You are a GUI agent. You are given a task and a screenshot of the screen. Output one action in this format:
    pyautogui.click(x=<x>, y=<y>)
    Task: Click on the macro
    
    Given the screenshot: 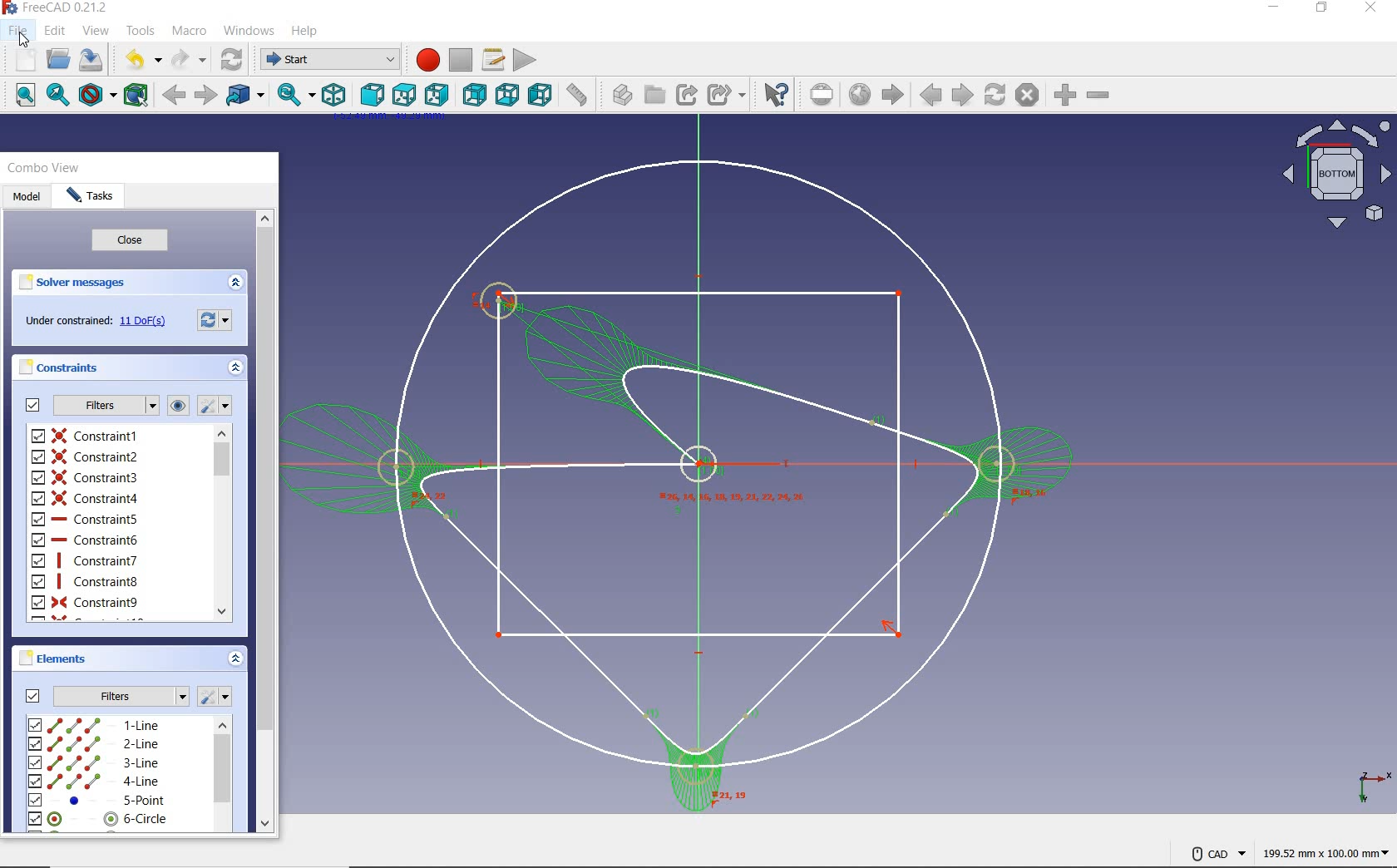 What is the action you would take?
    pyautogui.click(x=192, y=32)
    